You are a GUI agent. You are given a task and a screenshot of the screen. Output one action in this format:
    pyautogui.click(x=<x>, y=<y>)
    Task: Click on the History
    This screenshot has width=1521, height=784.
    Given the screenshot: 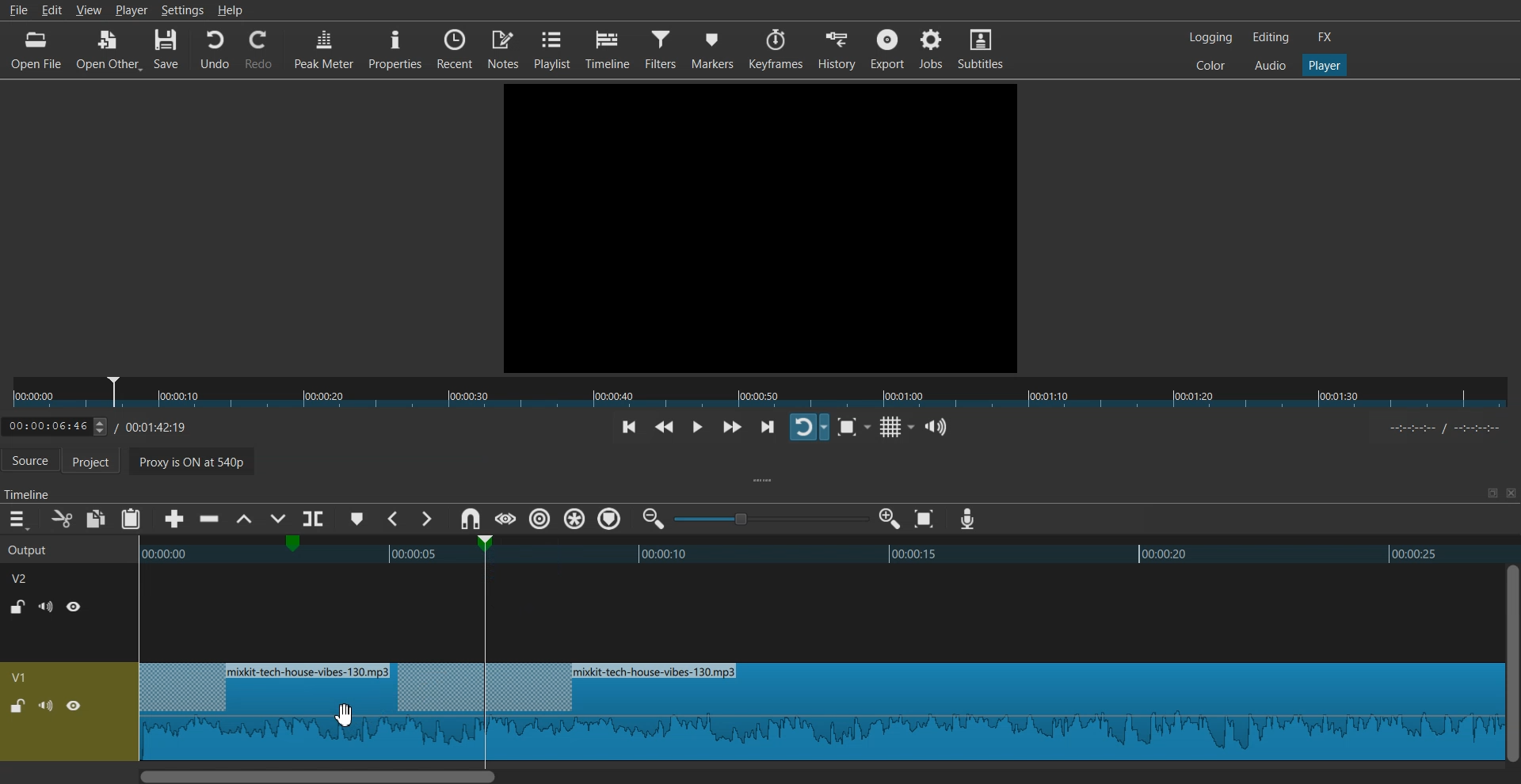 What is the action you would take?
    pyautogui.click(x=838, y=49)
    